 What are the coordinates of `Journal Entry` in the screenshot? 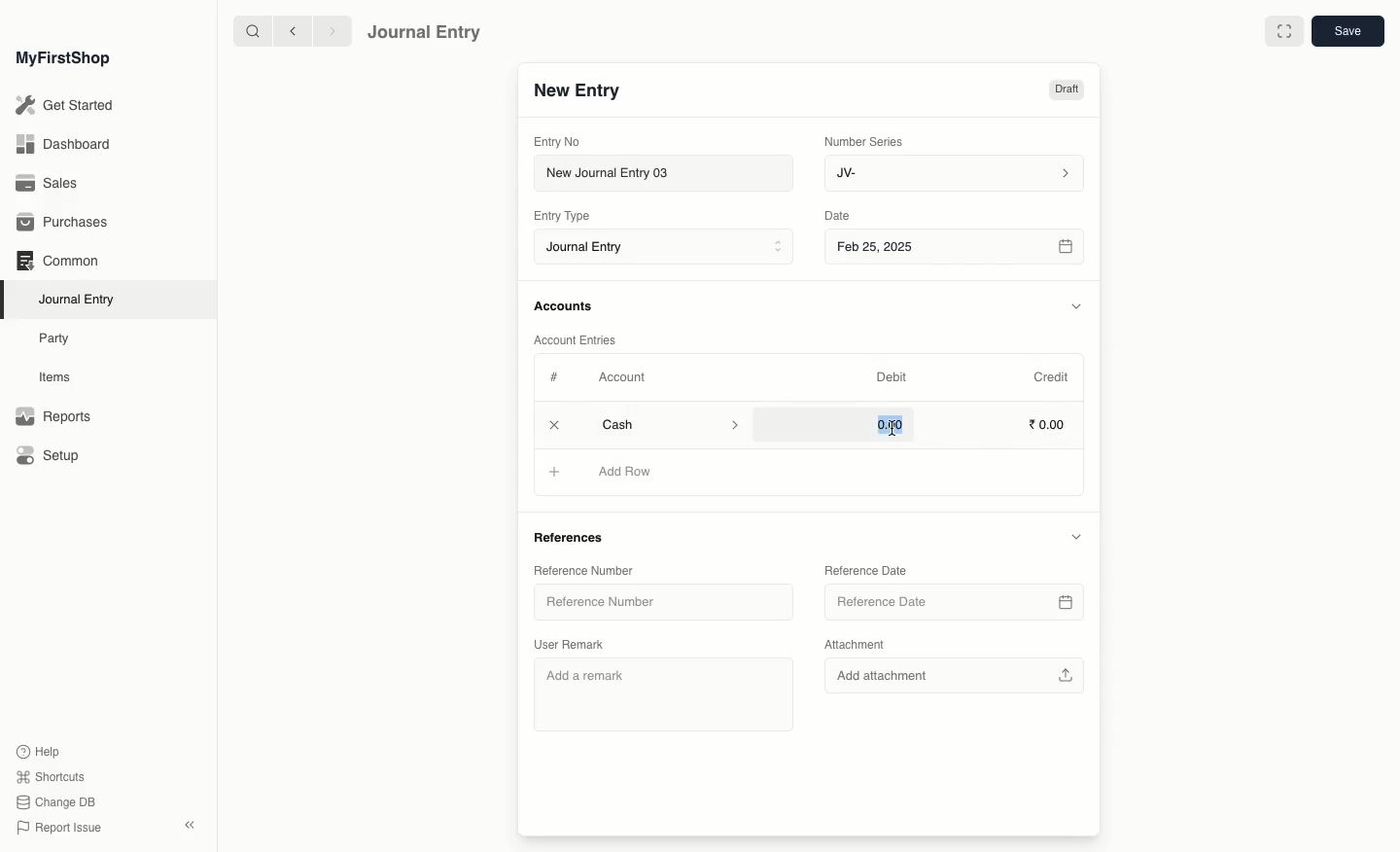 It's located at (82, 299).